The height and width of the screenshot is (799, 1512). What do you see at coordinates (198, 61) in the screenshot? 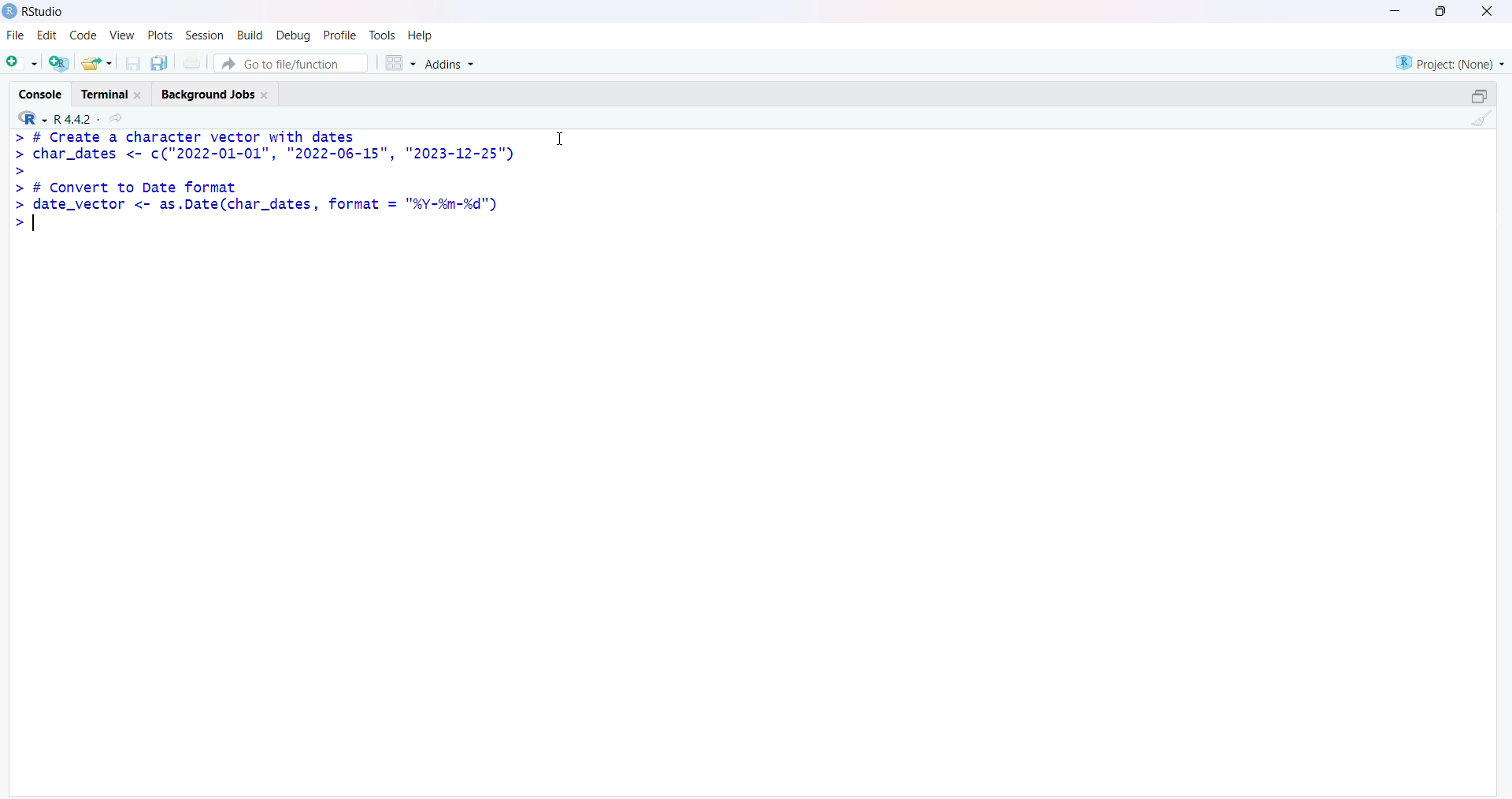
I see `Print the current file` at bounding box center [198, 61].